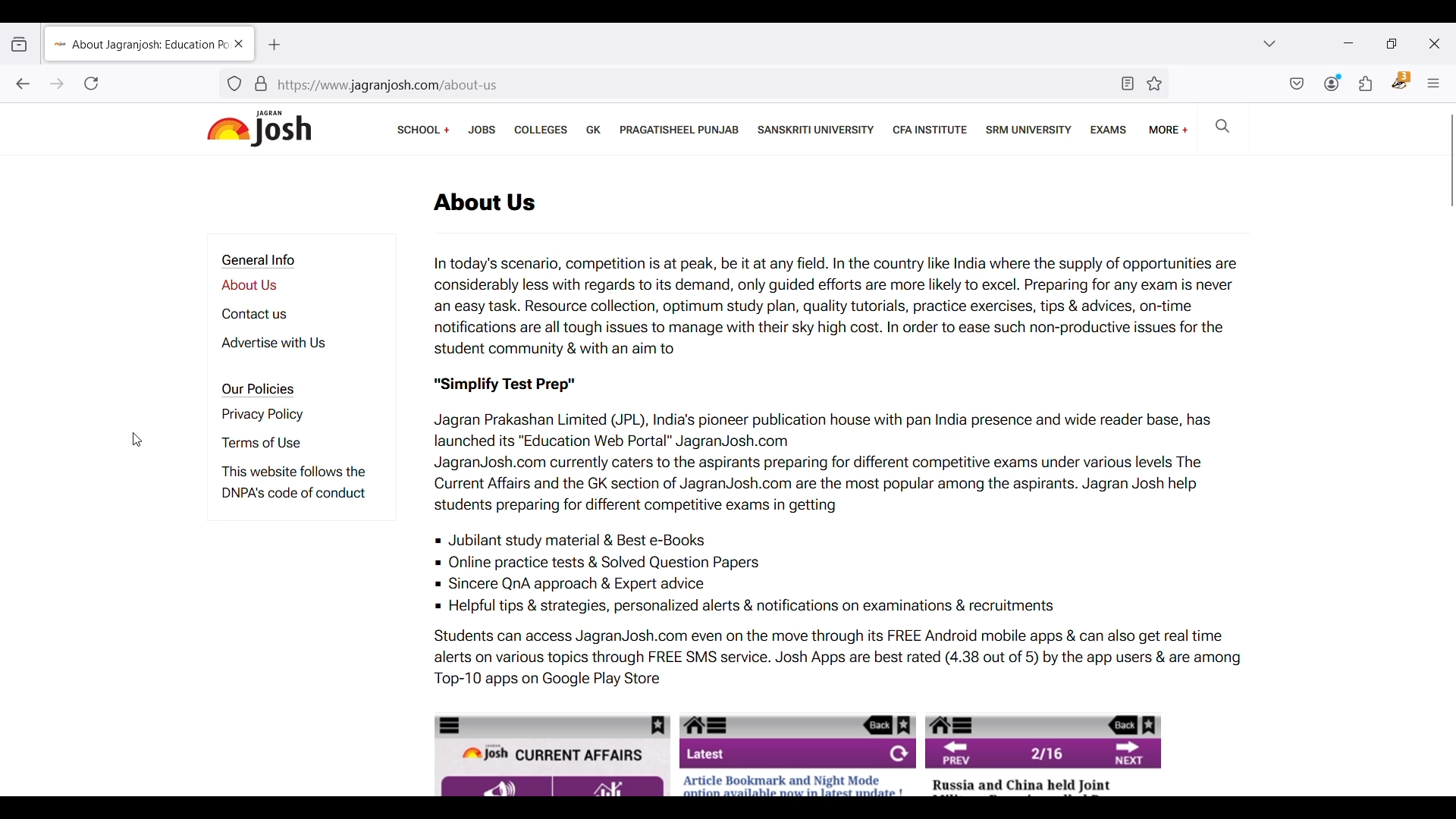 The width and height of the screenshot is (1456, 819). What do you see at coordinates (841, 750) in the screenshot?
I see `Website's mobile UI` at bounding box center [841, 750].